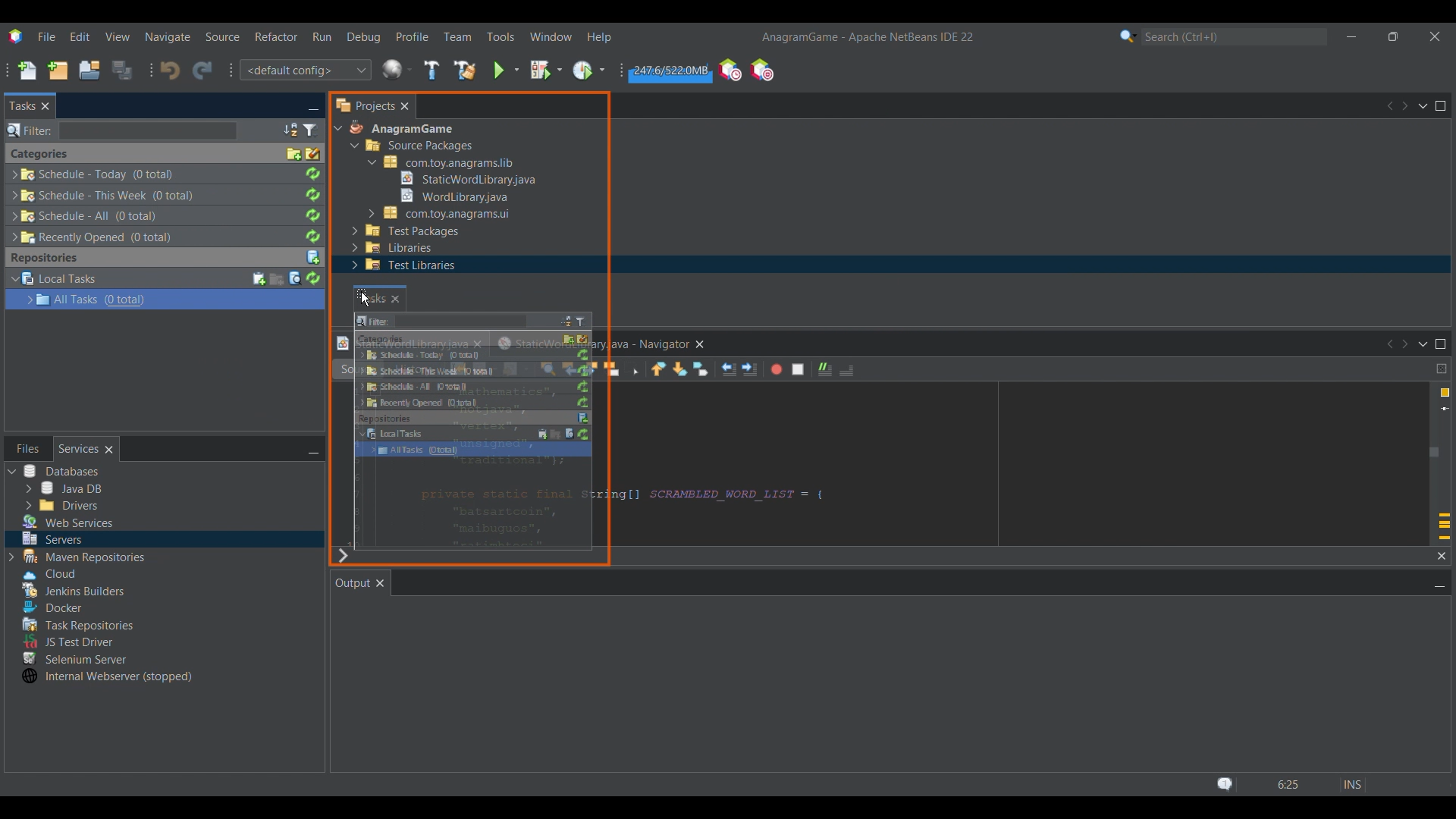 The image size is (1456, 819). Describe the element at coordinates (400, 266) in the screenshot. I see `` at that location.